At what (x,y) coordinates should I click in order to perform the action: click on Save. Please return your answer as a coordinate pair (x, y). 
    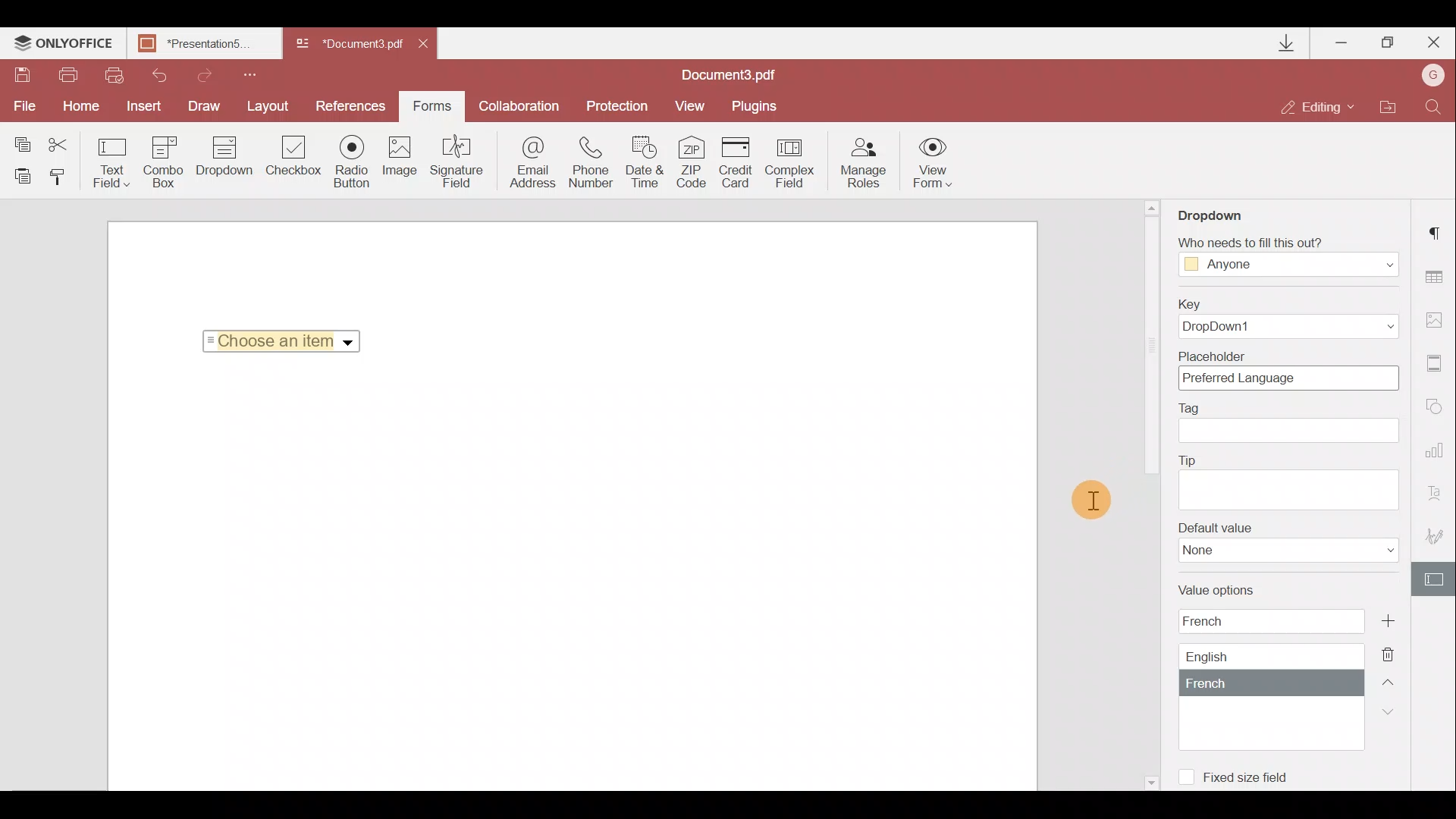
    Looking at the image, I should click on (21, 77).